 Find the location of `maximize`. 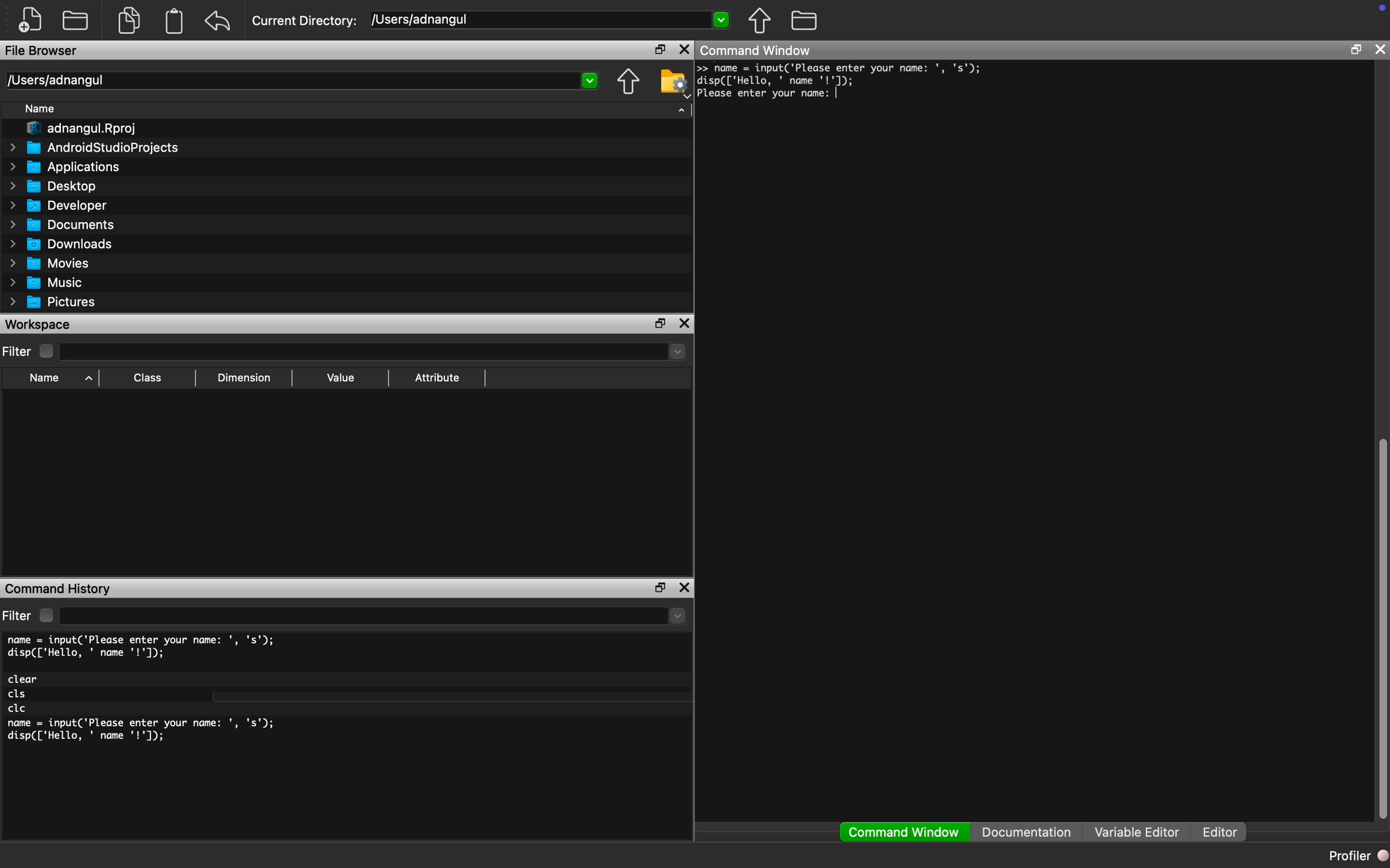

maximize is located at coordinates (660, 323).